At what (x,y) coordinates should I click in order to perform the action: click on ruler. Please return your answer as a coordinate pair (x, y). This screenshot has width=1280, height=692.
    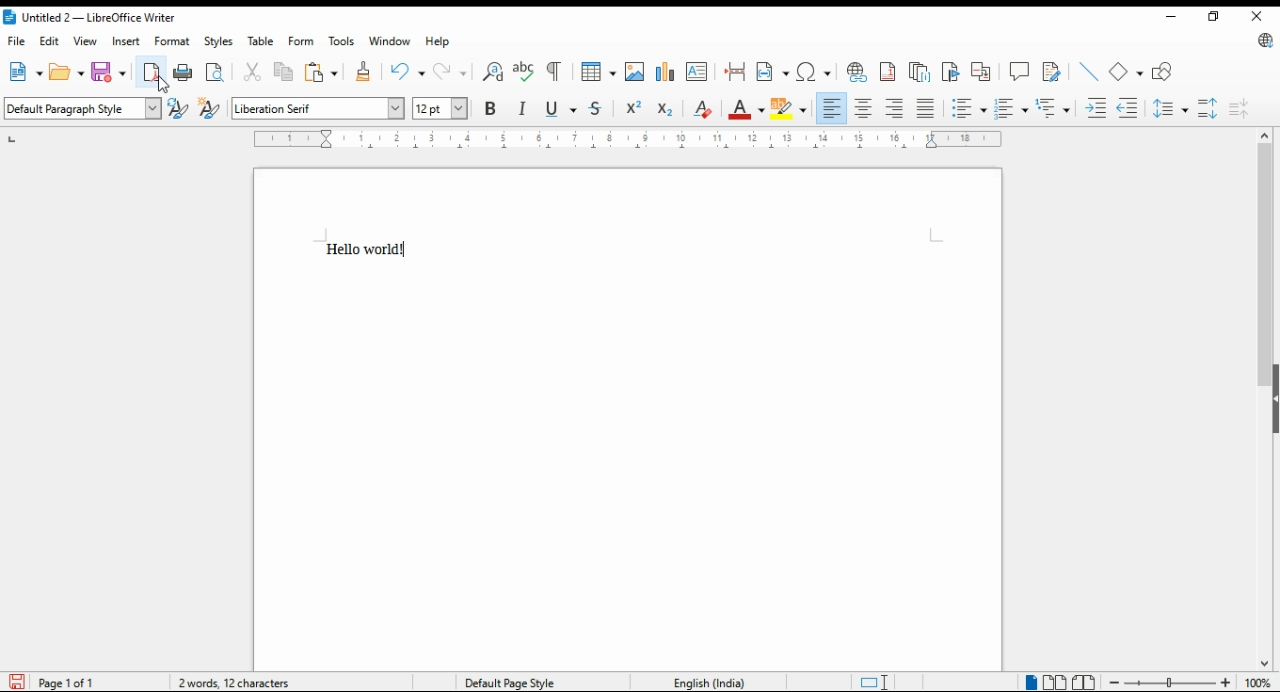
    Looking at the image, I should click on (632, 140).